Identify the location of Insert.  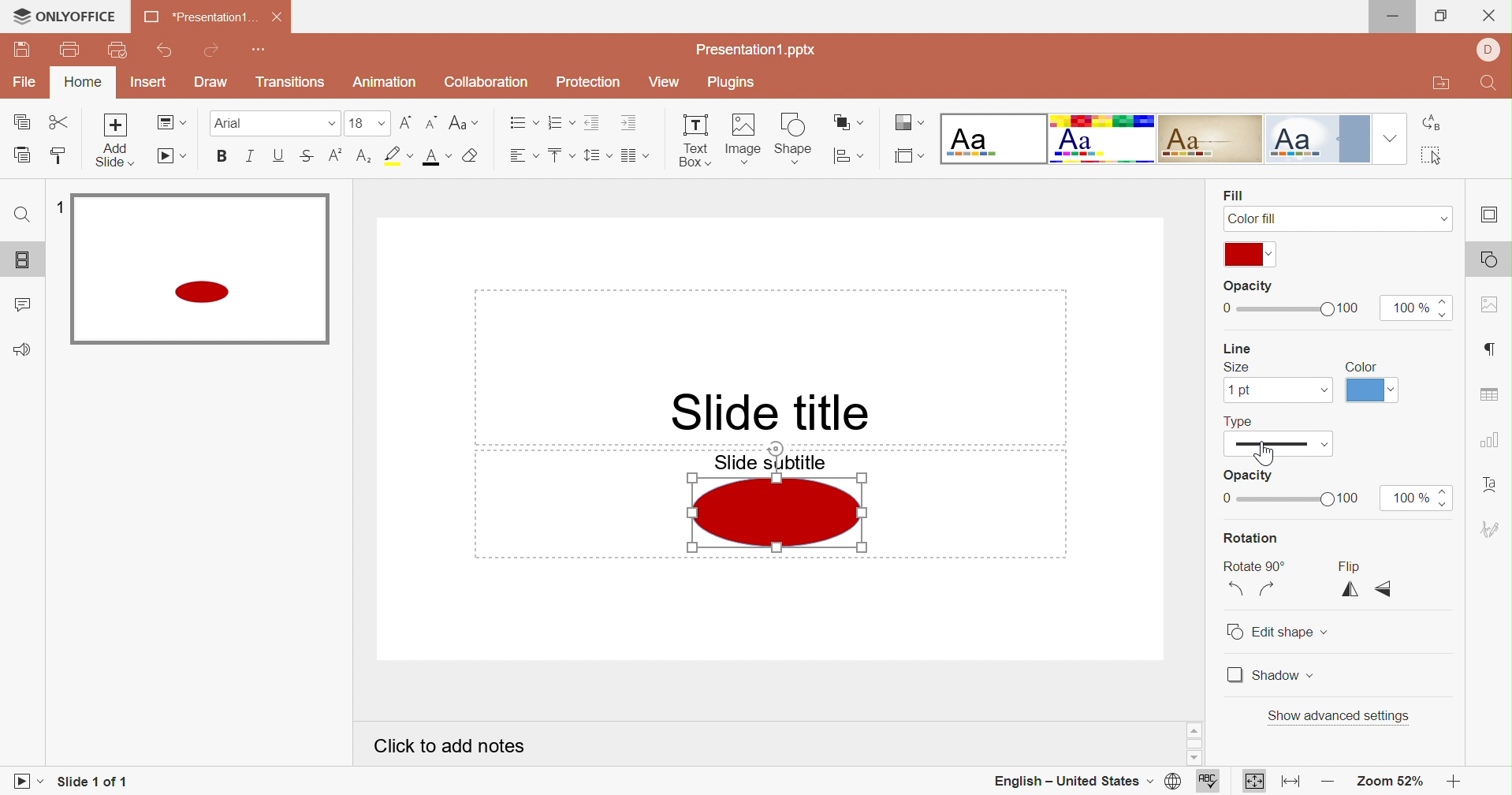
(153, 84).